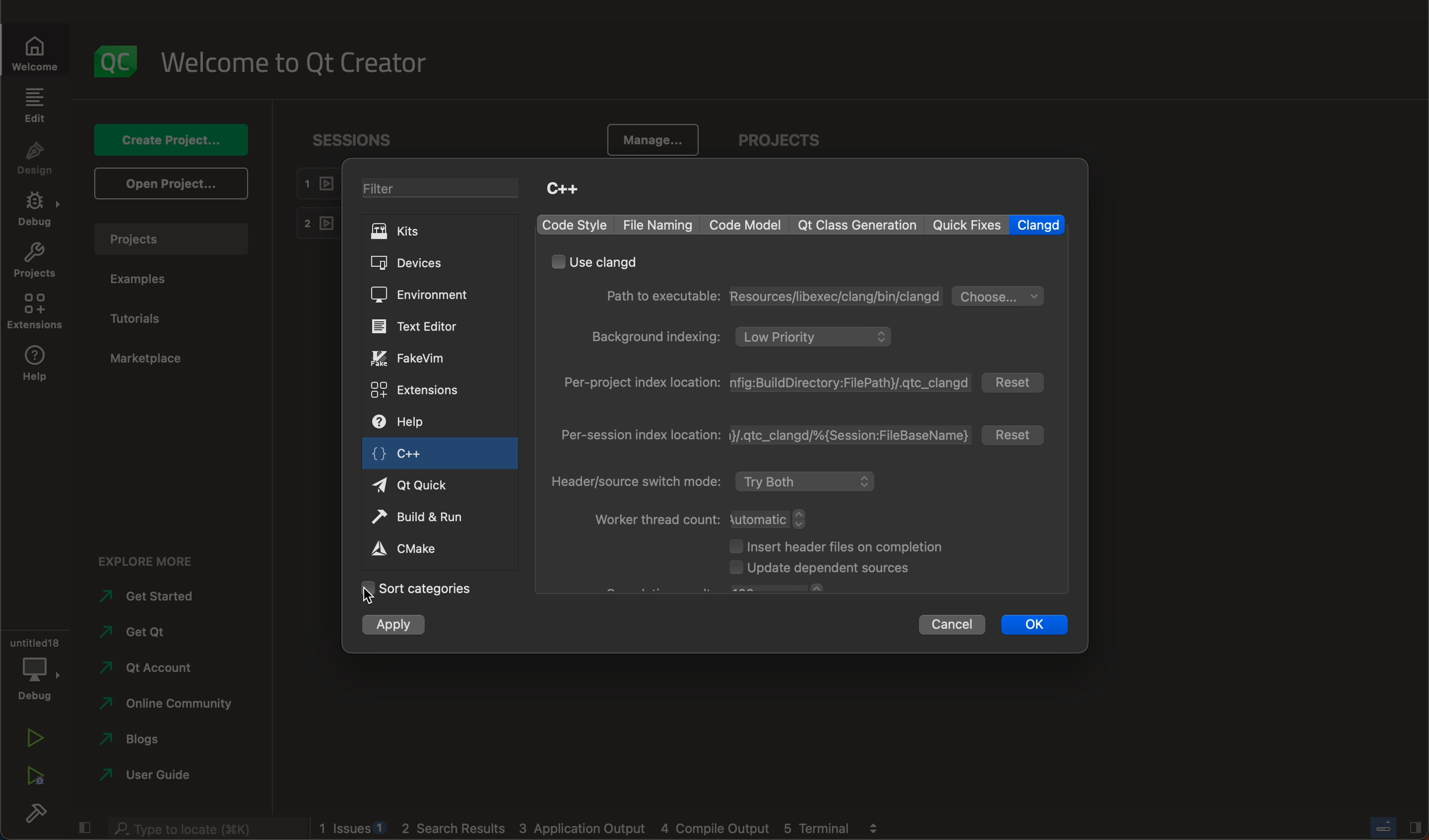 The width and height of the screenshot is (1429, 840). What do you see at coordinates (35, 313) in the screenshot?
I see `extensions` at bounding box center [35, 313].